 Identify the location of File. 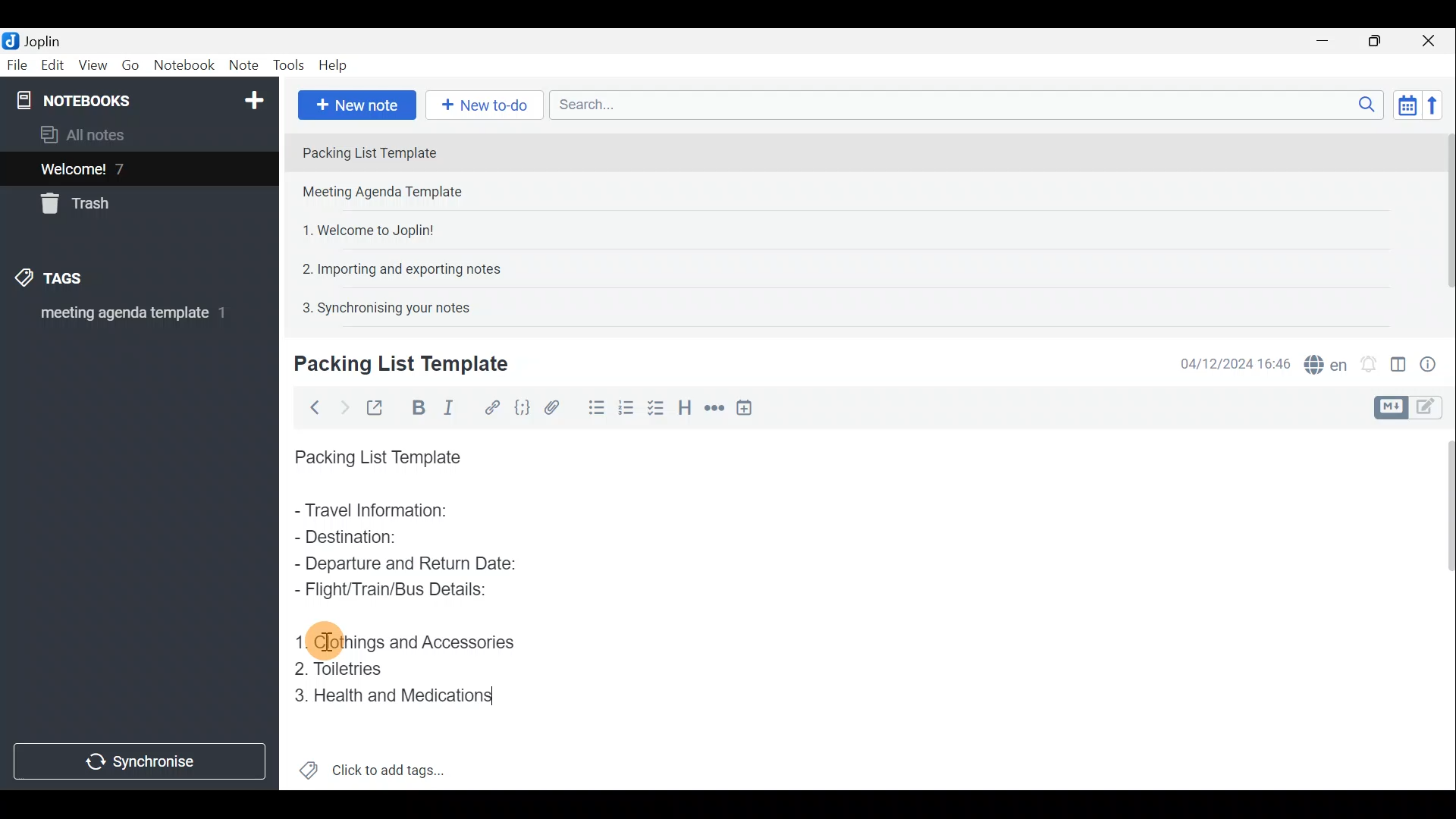
(15, 64).